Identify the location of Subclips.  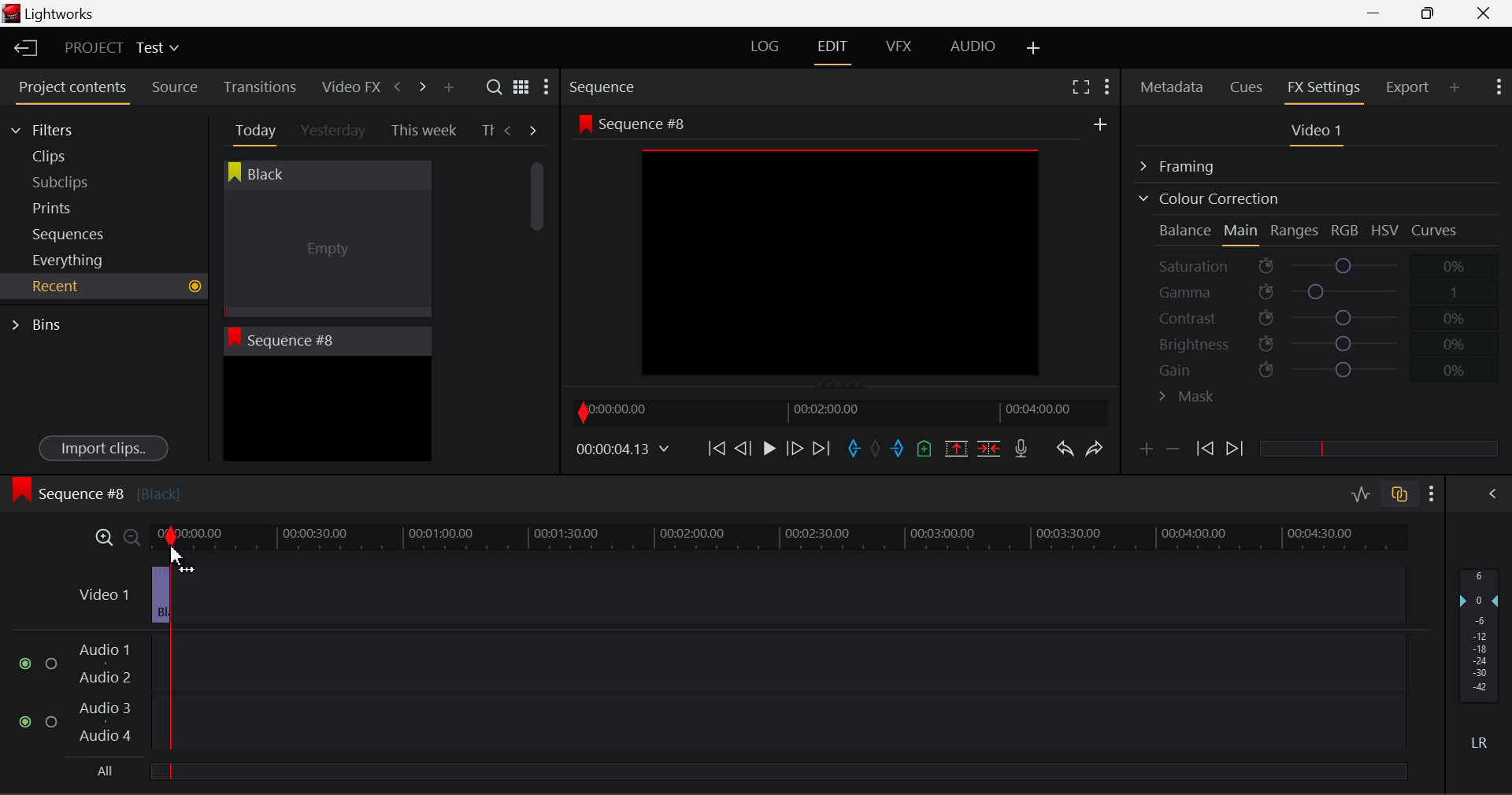
(76, 182).